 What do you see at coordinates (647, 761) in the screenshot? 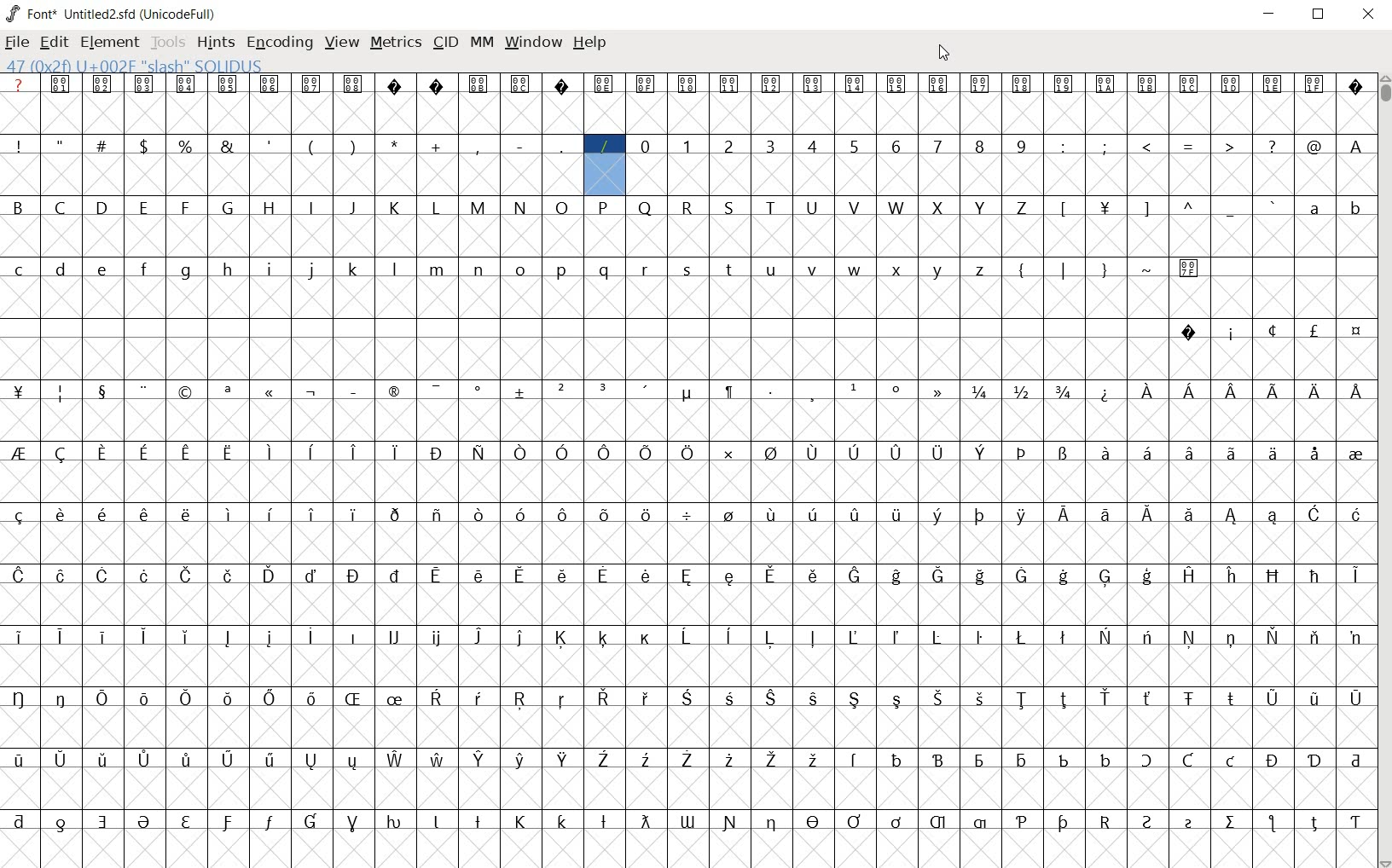
I see `glyph` at bounding box center [647, 761].